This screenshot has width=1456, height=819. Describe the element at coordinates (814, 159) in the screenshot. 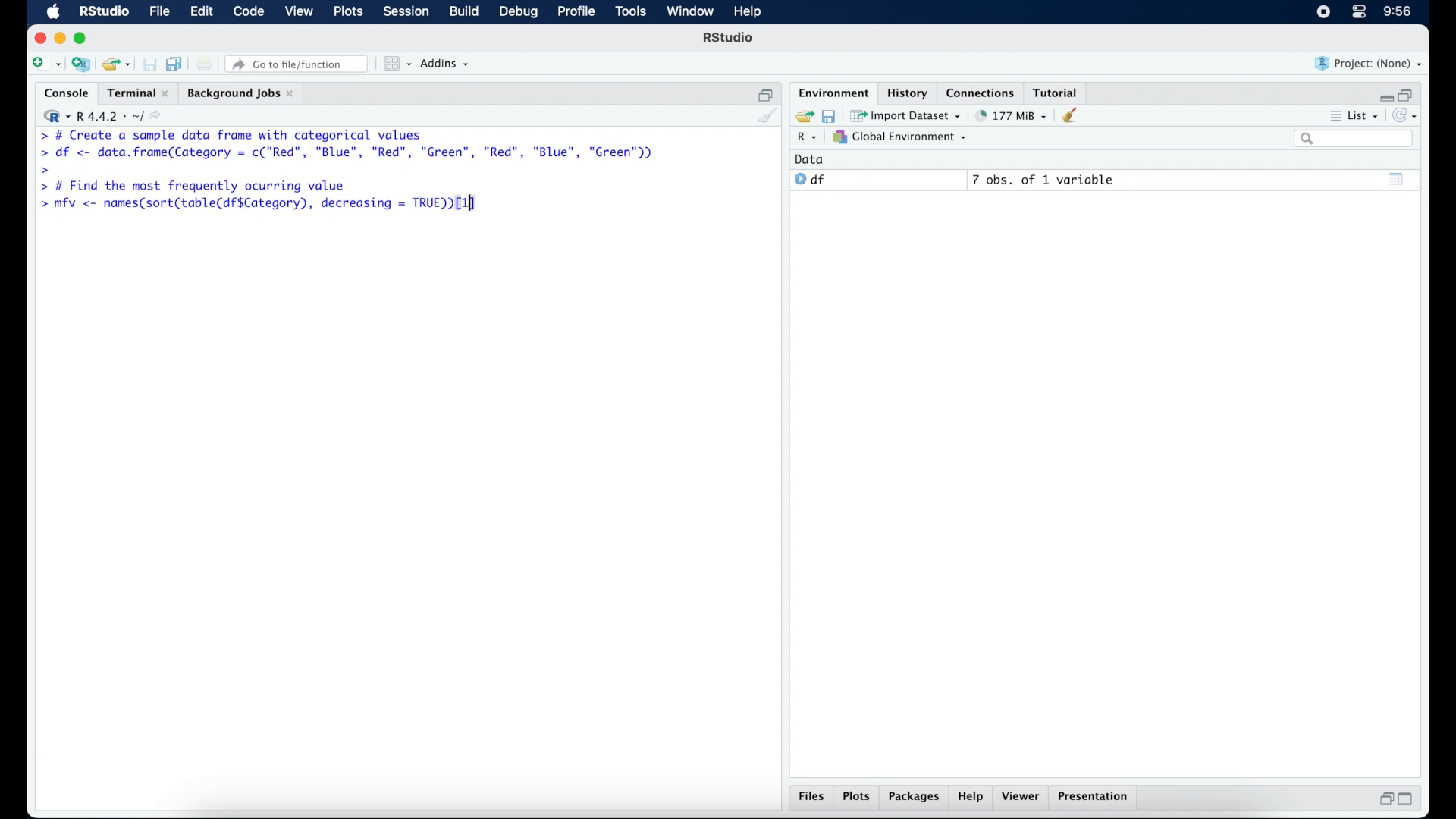

I see `data` at that location.